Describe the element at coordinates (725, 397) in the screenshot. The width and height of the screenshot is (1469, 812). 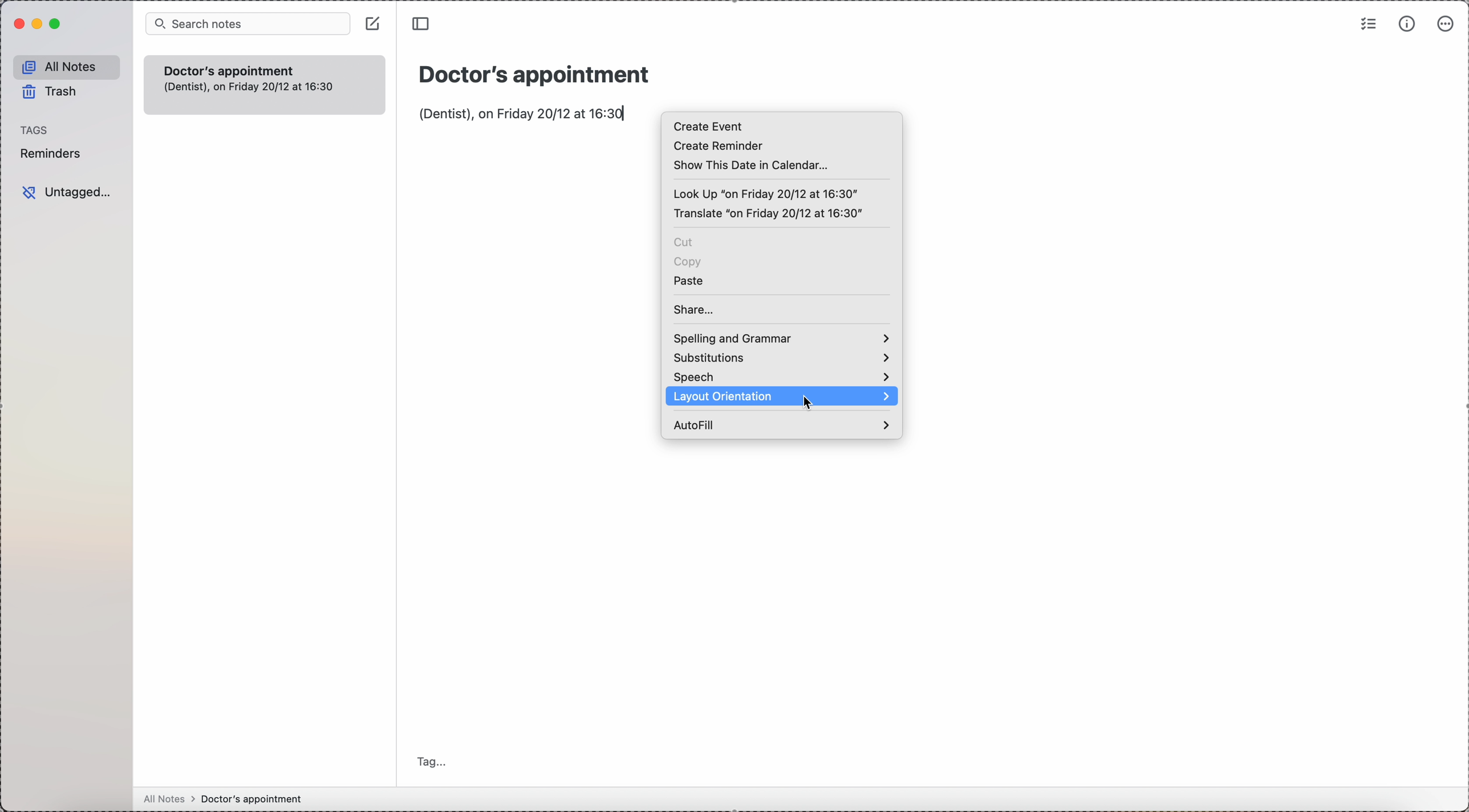
I see `layout orientation` at that location.